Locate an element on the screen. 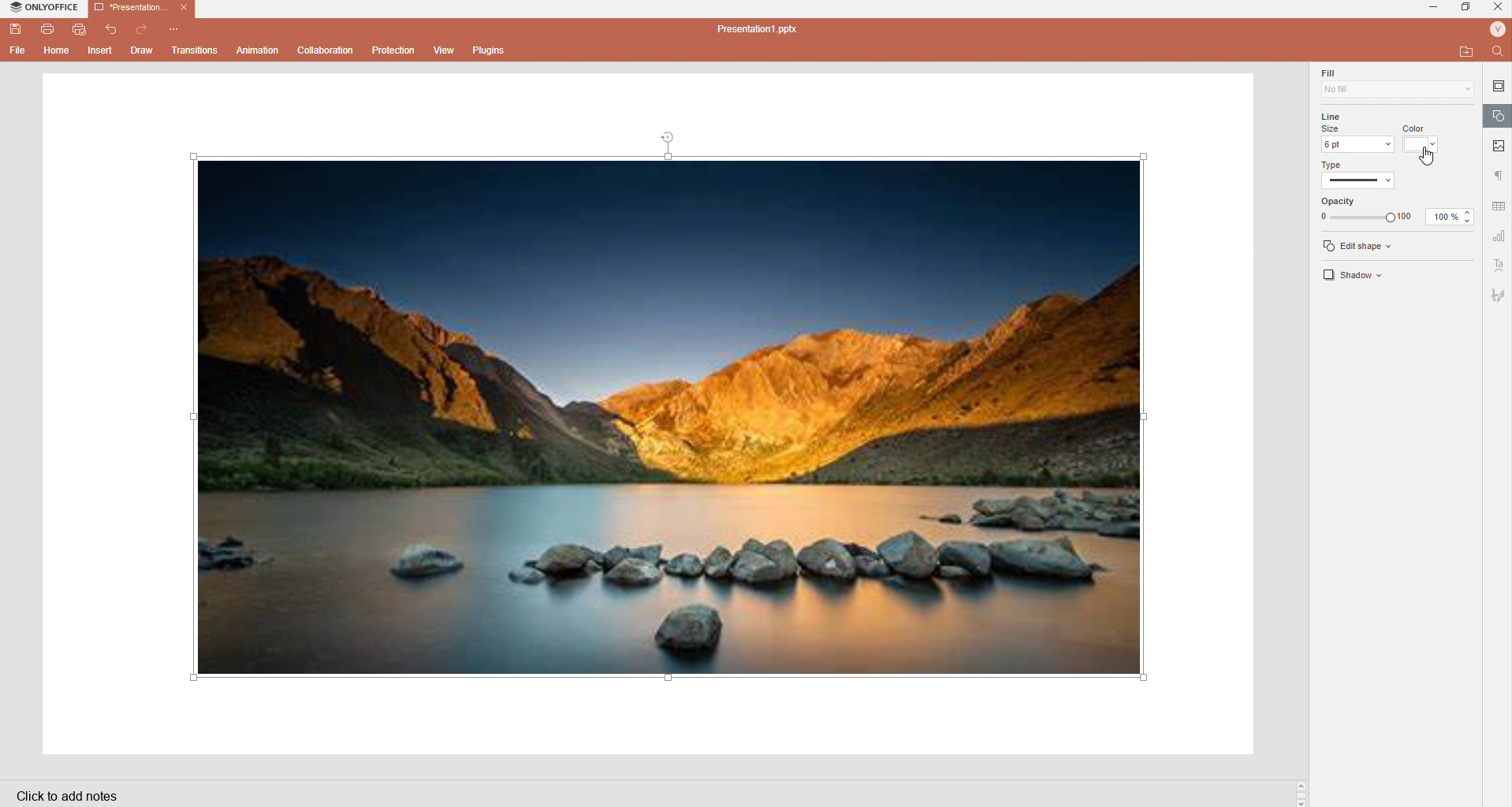 The width and height of the screenshot is (1512, 807). Text art settings is located at coordinates (1499, 266).